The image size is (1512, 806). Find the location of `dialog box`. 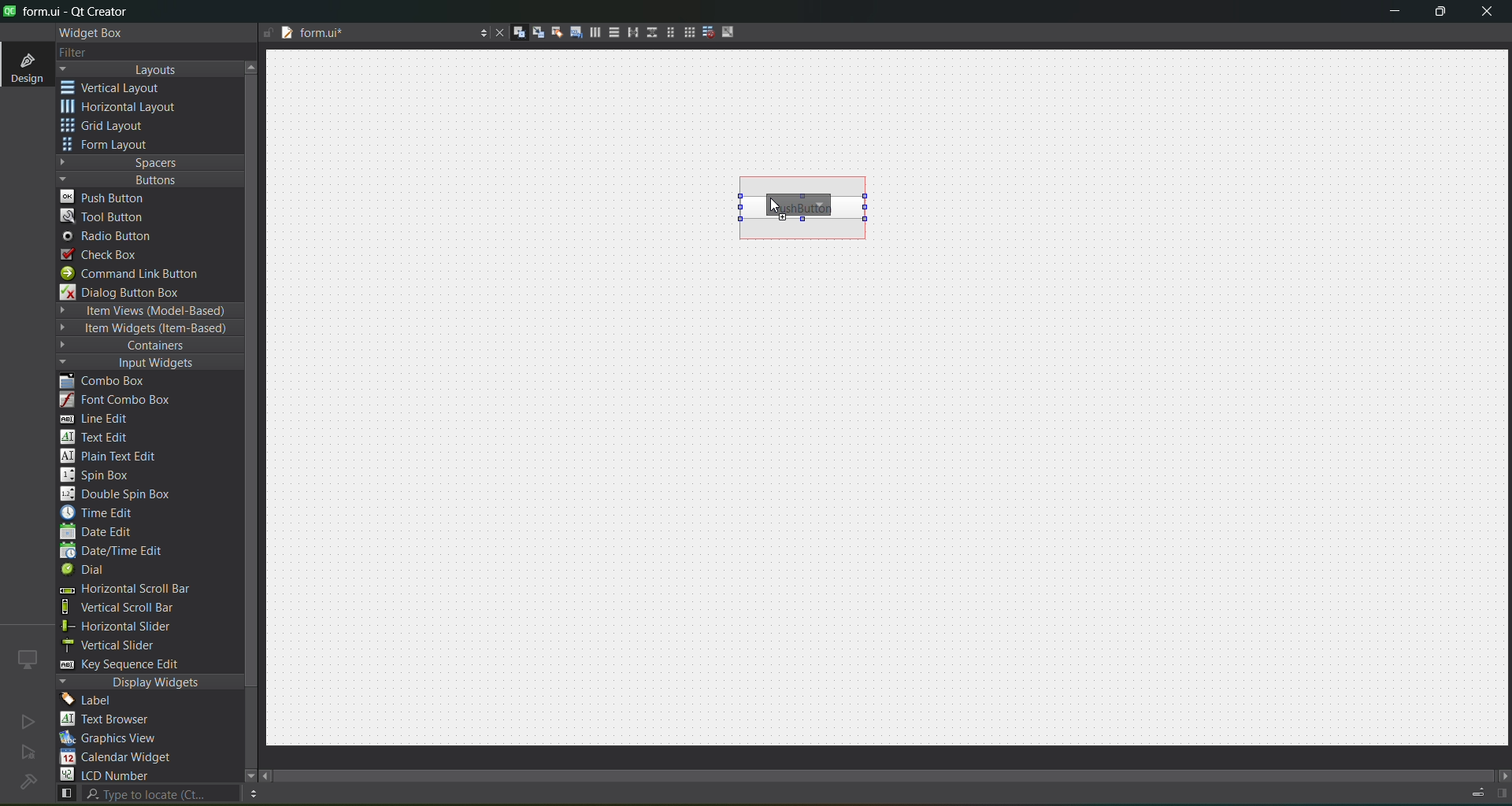

dialog box is located at coordinates (132, 292).